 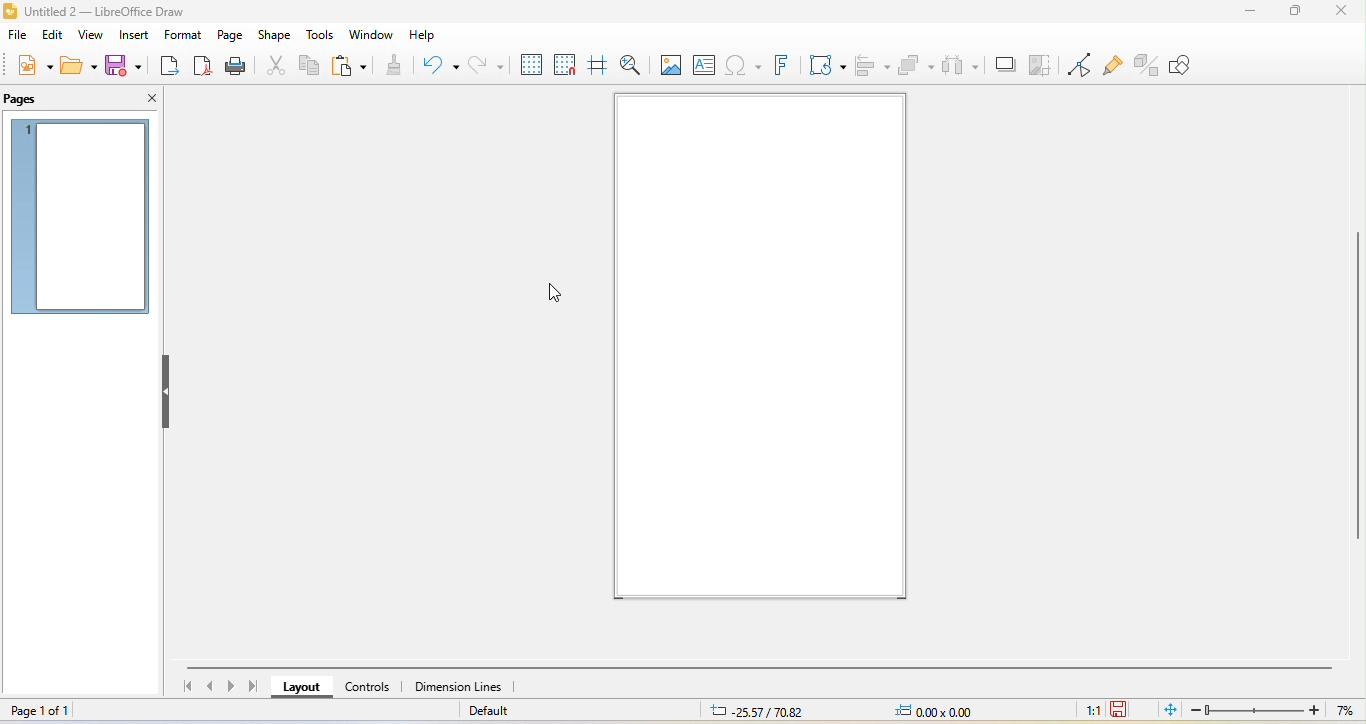 What do you see at coordinates (301, 691) in the screenshot?
I see `layout` at bounding box center [301, 691].